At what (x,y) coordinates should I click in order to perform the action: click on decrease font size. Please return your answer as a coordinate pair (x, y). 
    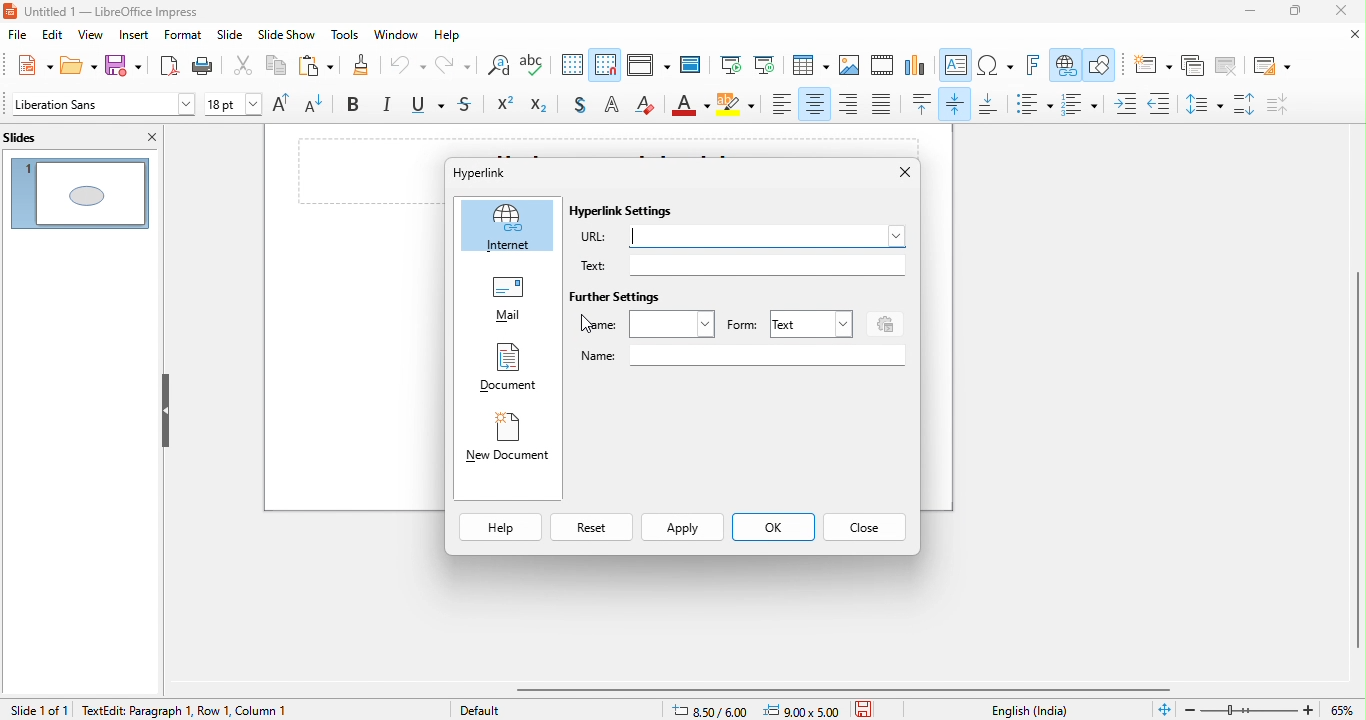
    Looking at the image, I should click on (321, 106).